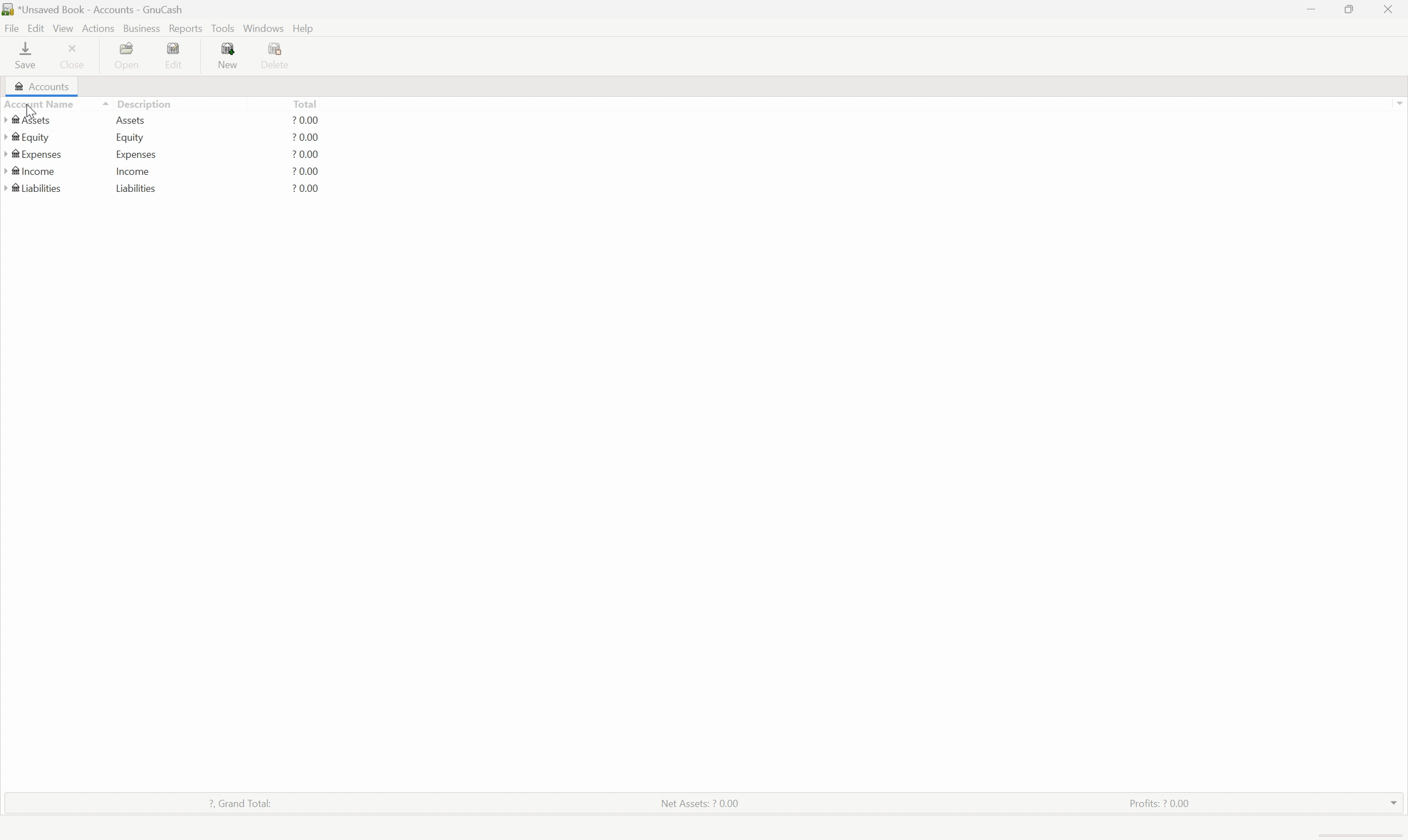  Describe the element at coordinates (700, 804) in the screenshot. I see `Net assets: ? 0.00` at that location.